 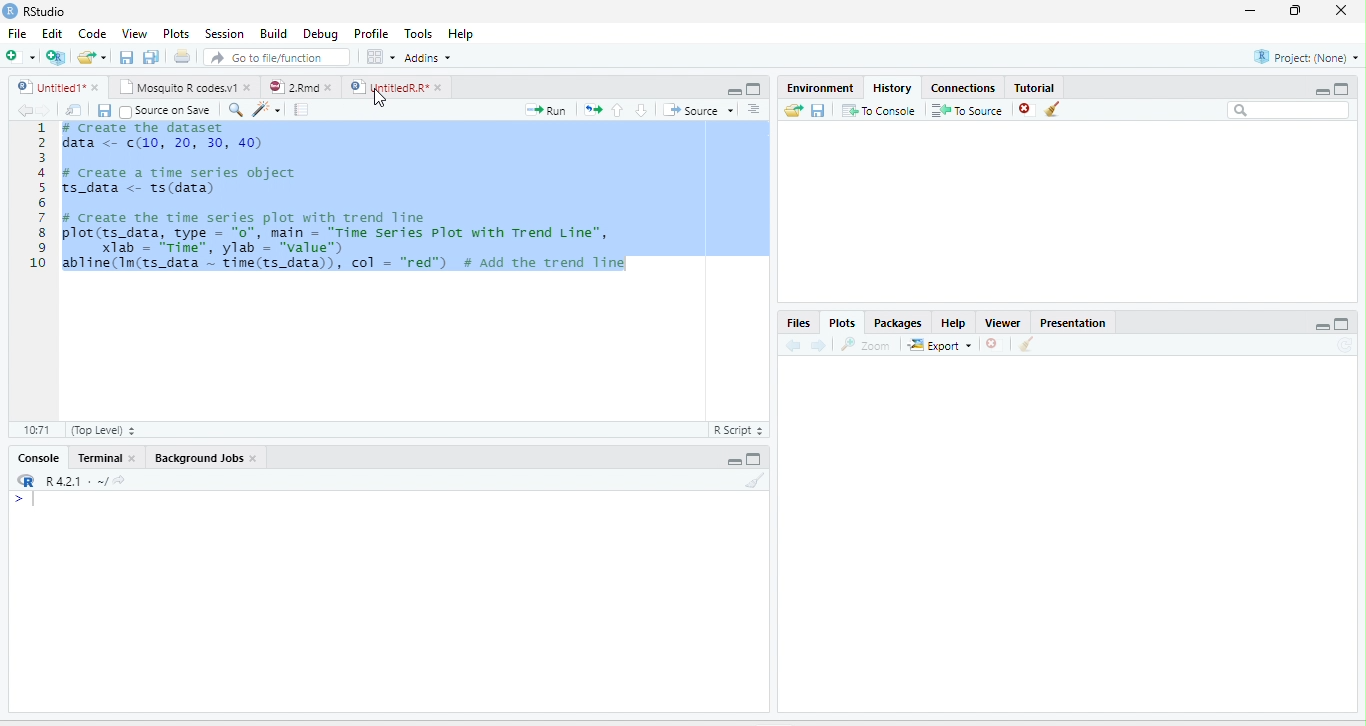 What do you see at coordinates (133, 33) in the screenshot?
I see `View` at bounding box center [133, 33].